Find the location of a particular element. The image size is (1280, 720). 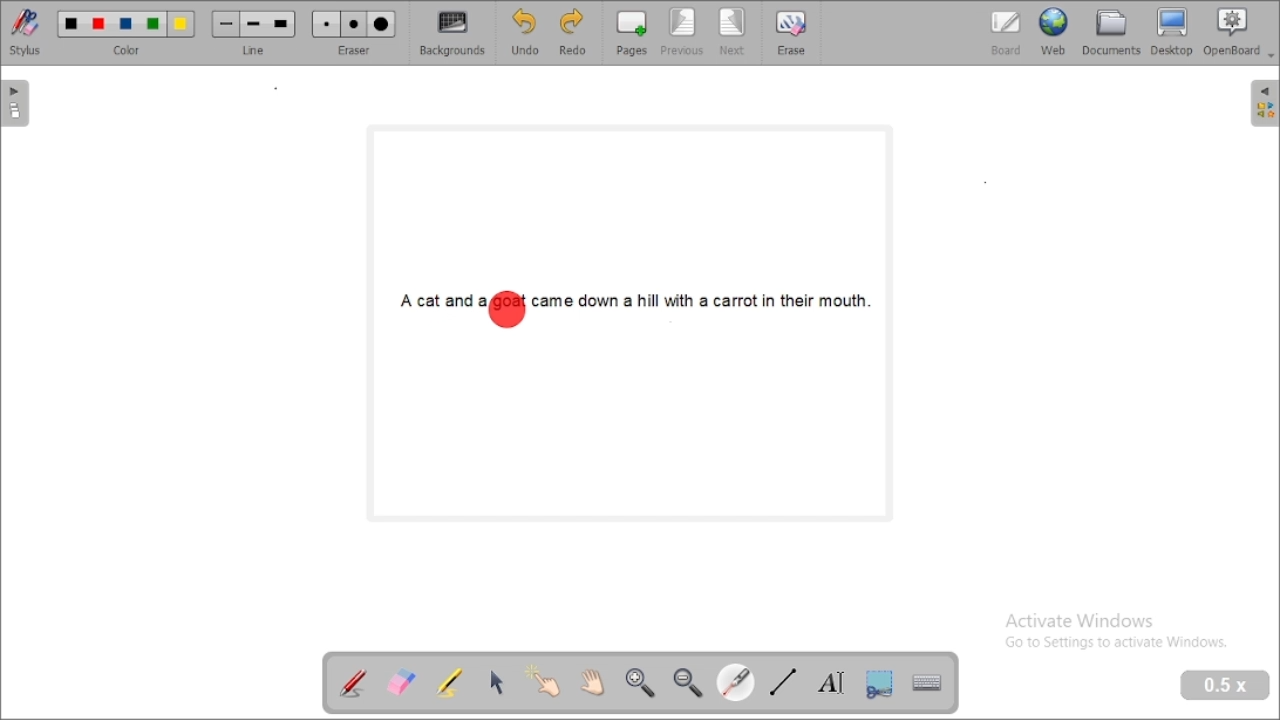

color is located at coordinates (127, 33).